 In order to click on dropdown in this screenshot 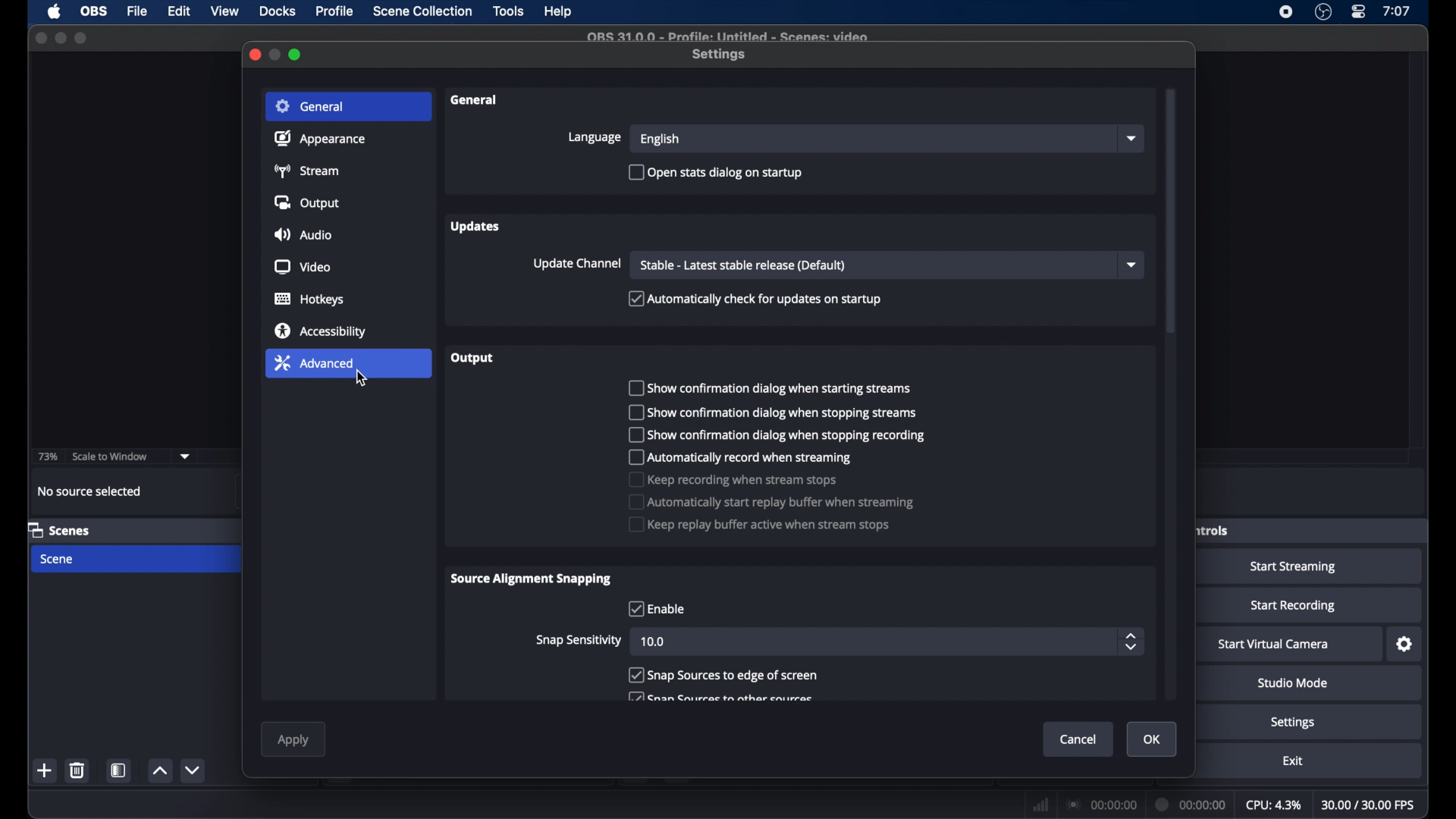, I will do `click(1132, 265)`.